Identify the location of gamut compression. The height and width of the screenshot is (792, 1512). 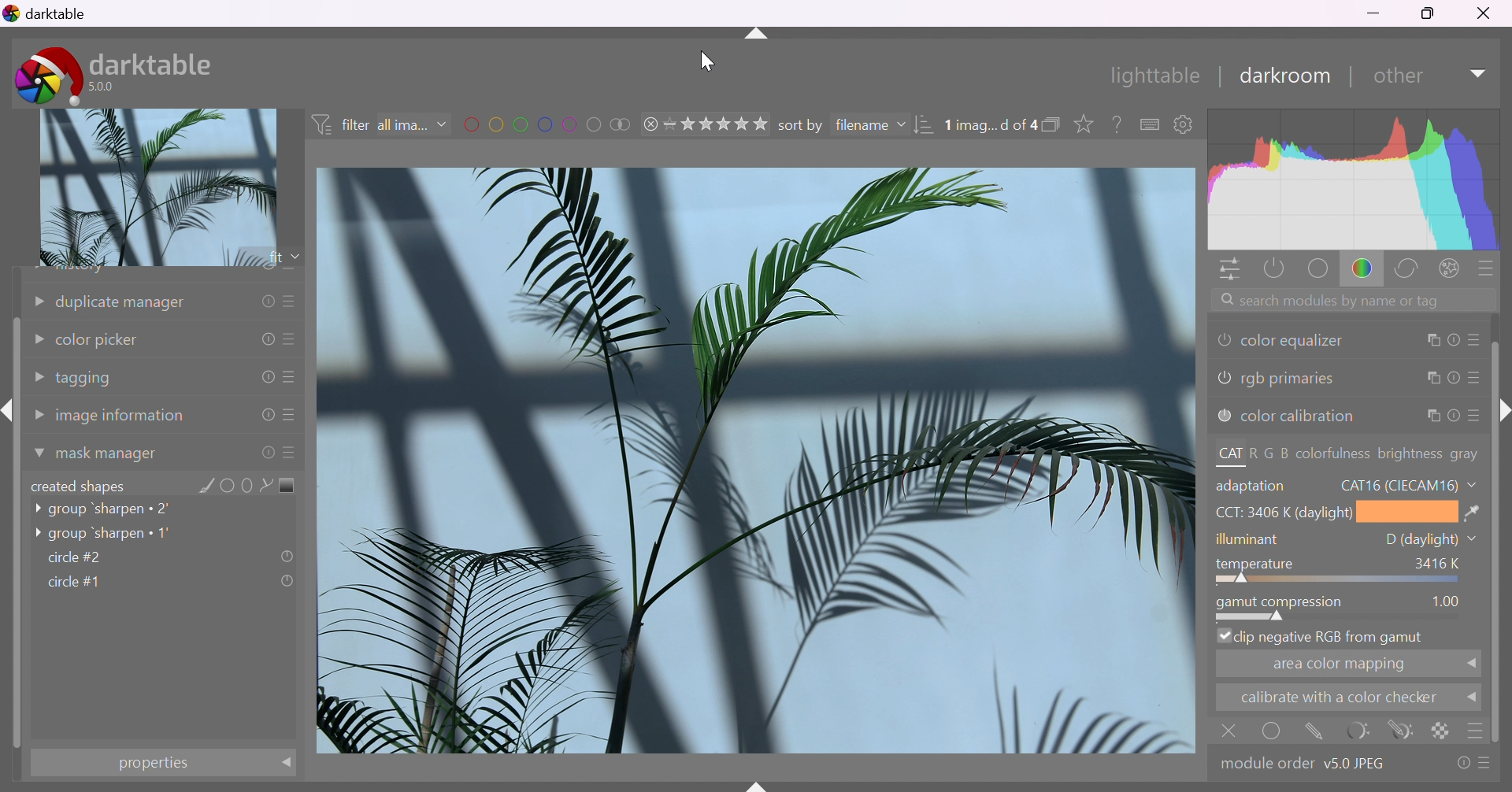
(1340, 609).